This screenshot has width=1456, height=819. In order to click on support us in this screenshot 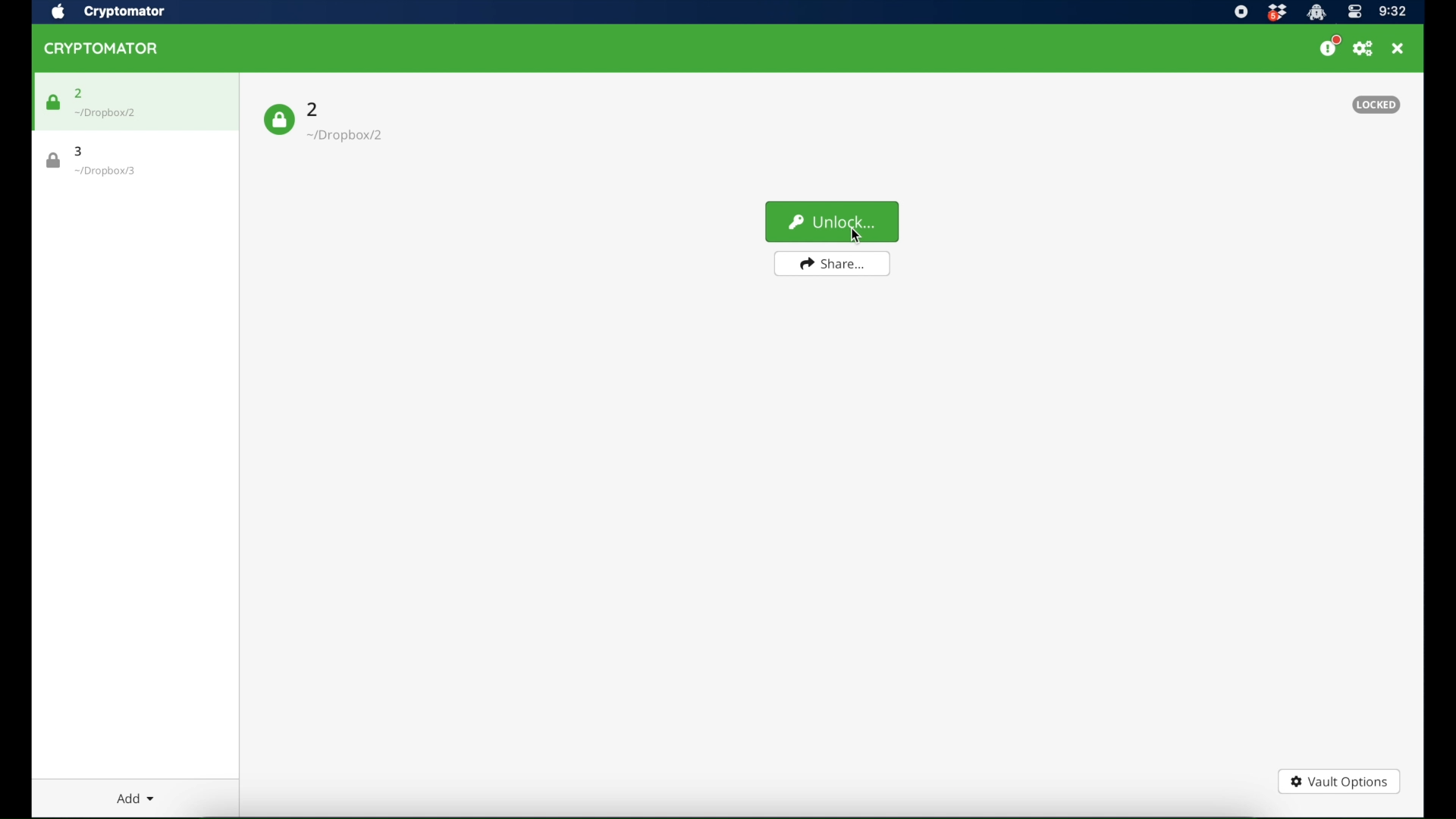, I will do `click(1330, 47)`.